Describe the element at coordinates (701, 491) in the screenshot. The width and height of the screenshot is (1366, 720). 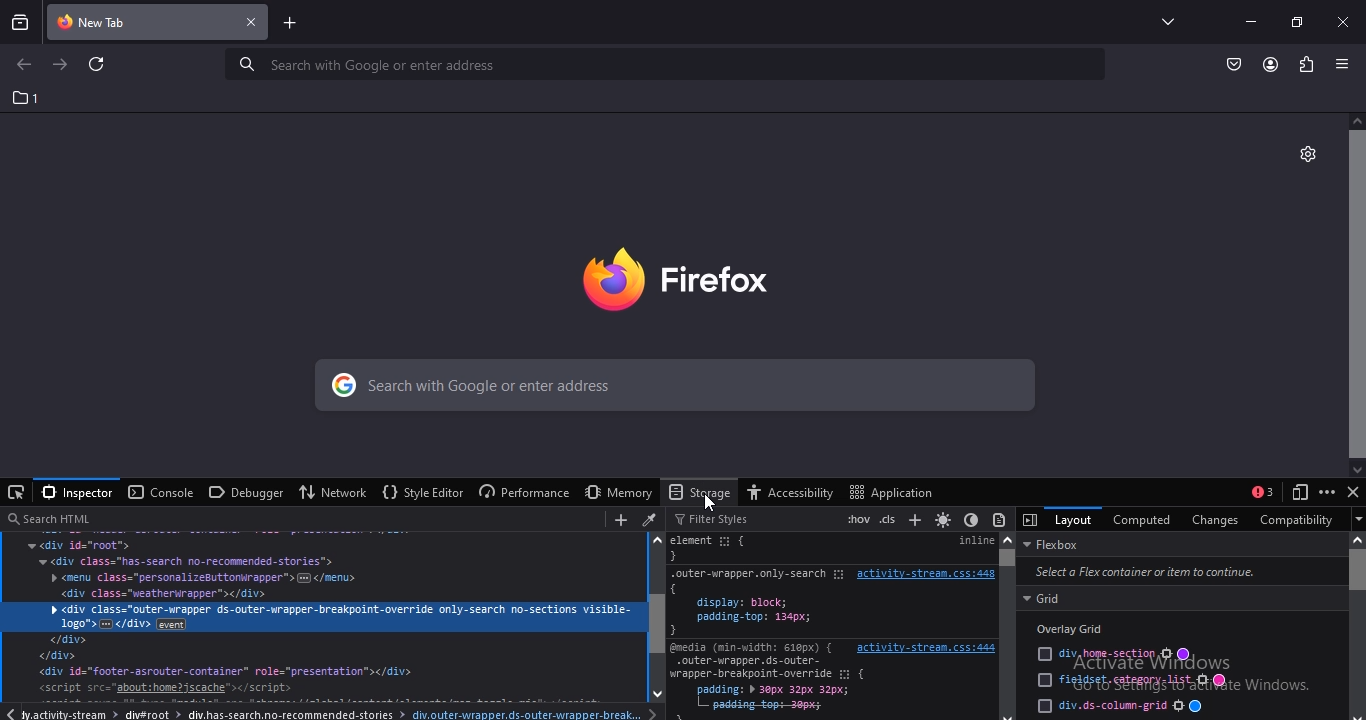
I see `storage` at that location.